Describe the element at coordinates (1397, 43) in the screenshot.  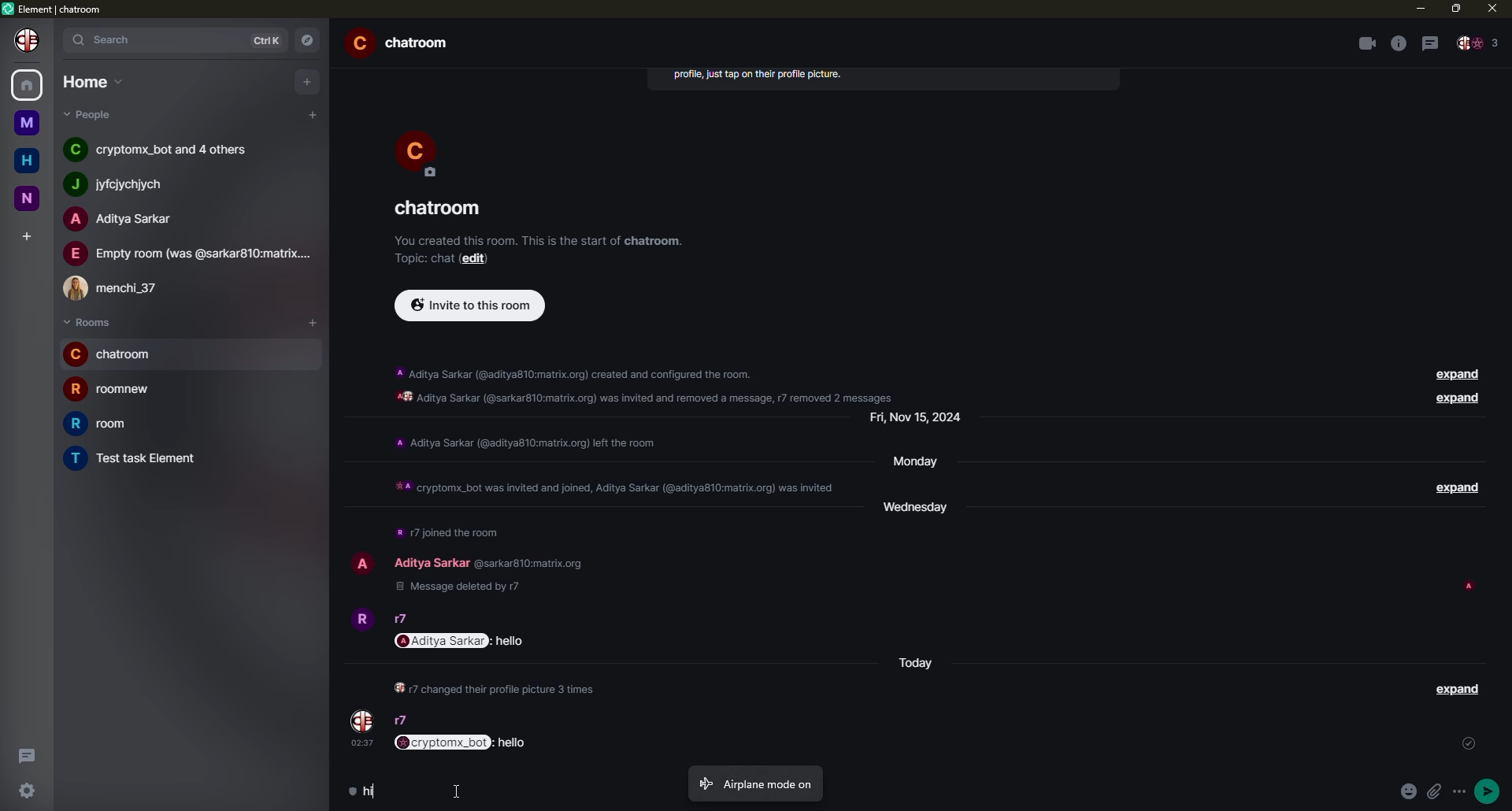
I see `info` at that location.